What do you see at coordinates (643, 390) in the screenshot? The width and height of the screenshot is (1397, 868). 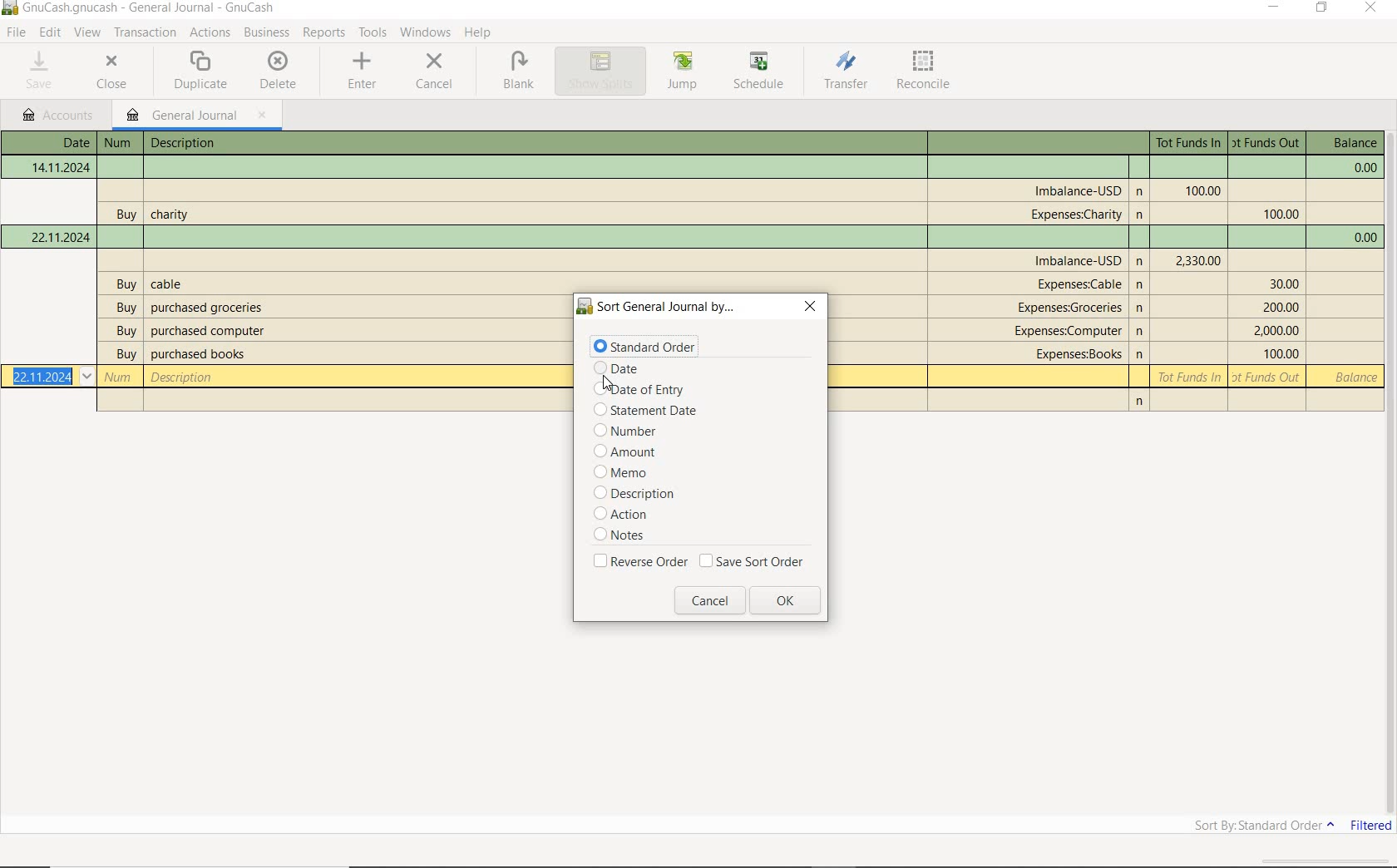 I see `date of entry` at bounding box center [643, 390].